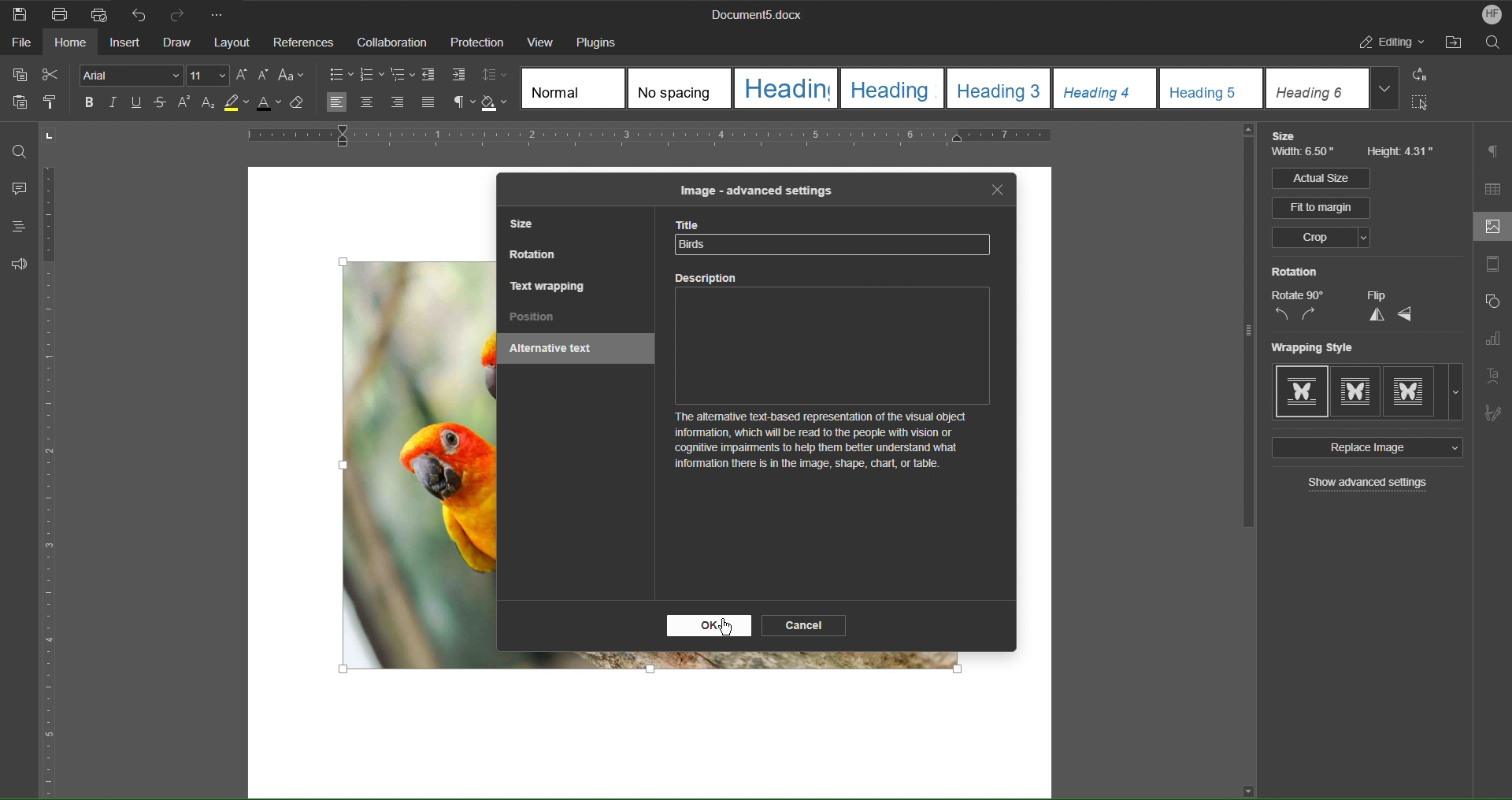 This screenshot has height=800, width=1512. Describe the element at coordinates (1493, 45) in the screenshot. I see `Search` at that location.